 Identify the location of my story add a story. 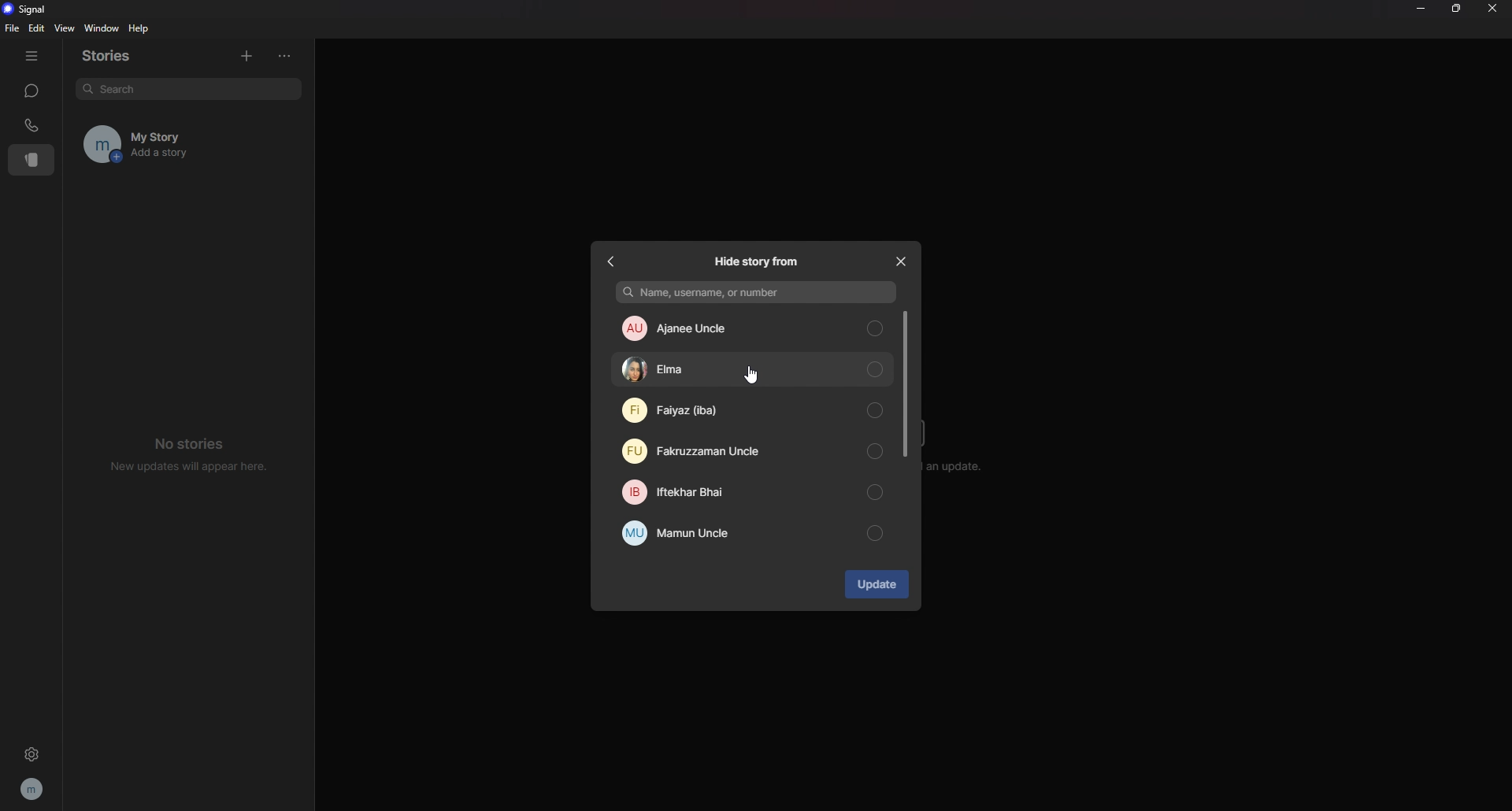
(168, 144).